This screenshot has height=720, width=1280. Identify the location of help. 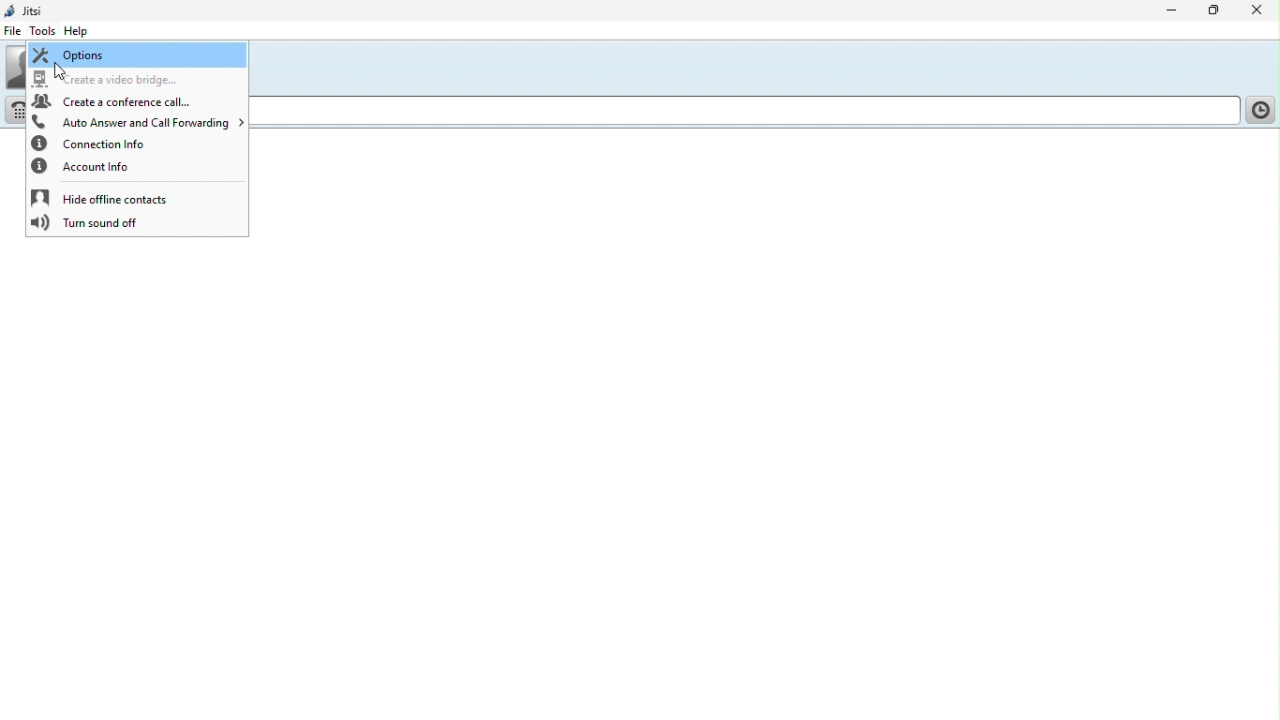
(80, 31).